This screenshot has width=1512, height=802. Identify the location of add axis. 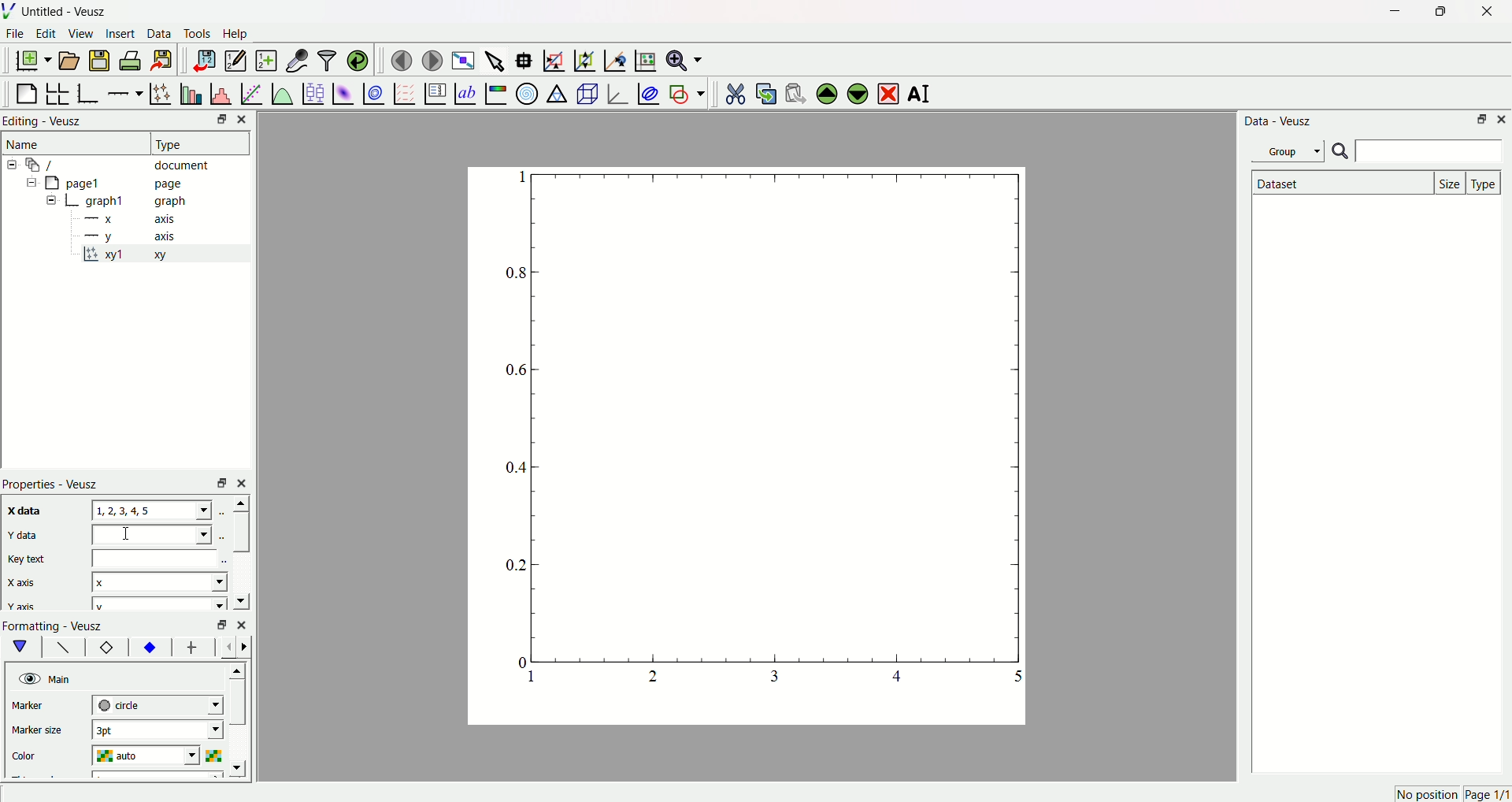
(125, 91).